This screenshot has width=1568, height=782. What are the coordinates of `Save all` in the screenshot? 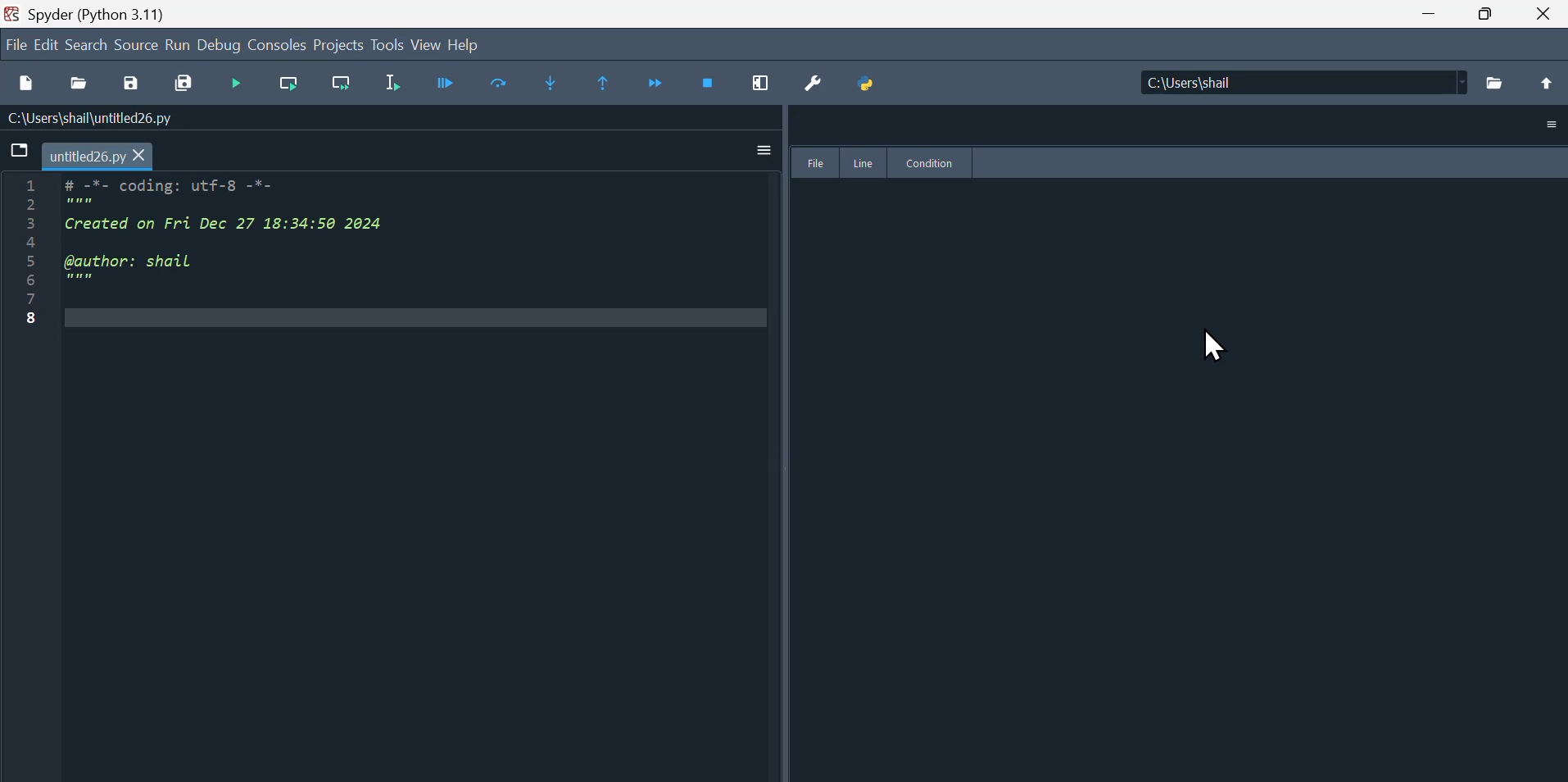 It's located at (186, 84).